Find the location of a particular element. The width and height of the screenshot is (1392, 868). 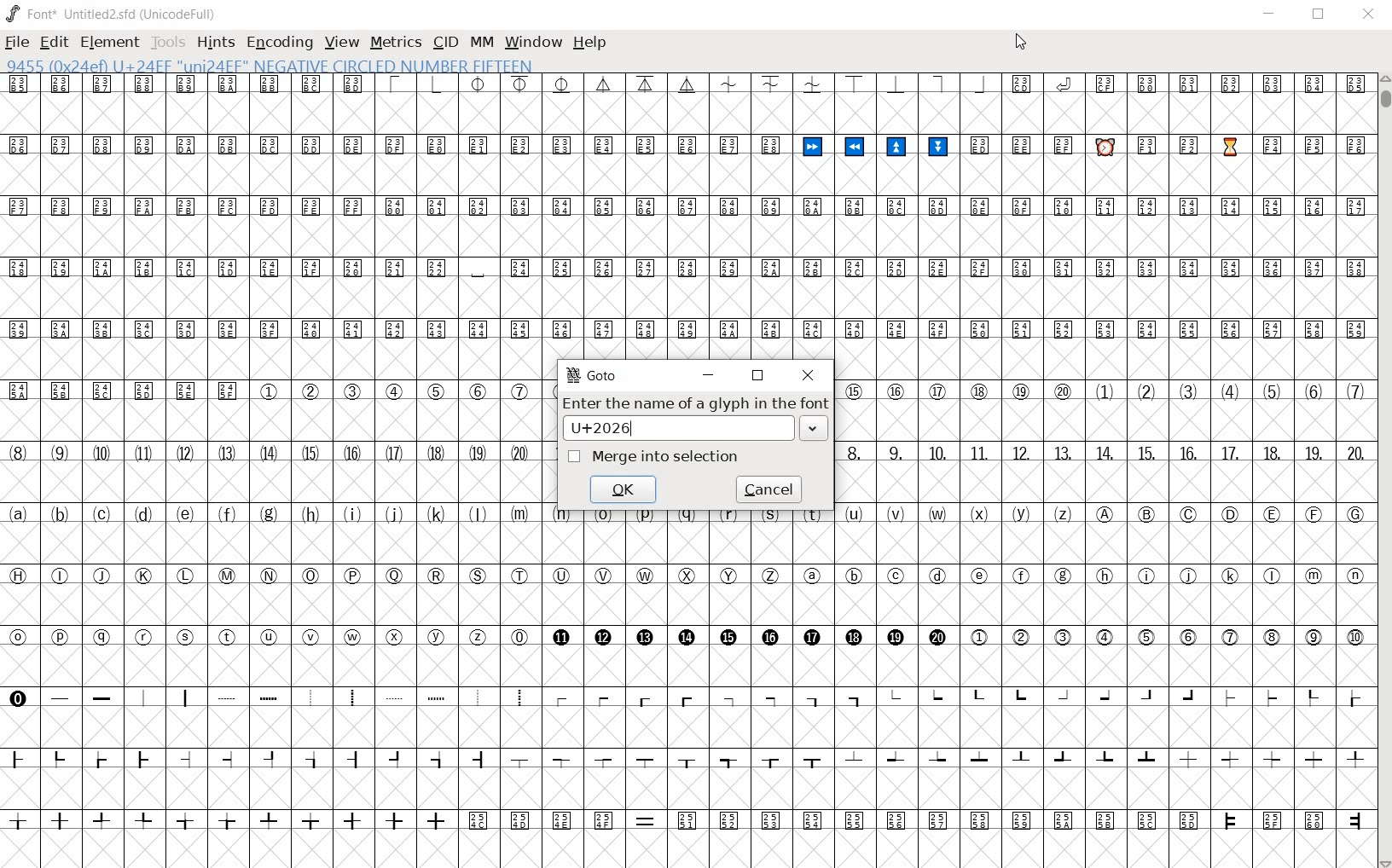

VIEW is located at coordinates (340, 43).